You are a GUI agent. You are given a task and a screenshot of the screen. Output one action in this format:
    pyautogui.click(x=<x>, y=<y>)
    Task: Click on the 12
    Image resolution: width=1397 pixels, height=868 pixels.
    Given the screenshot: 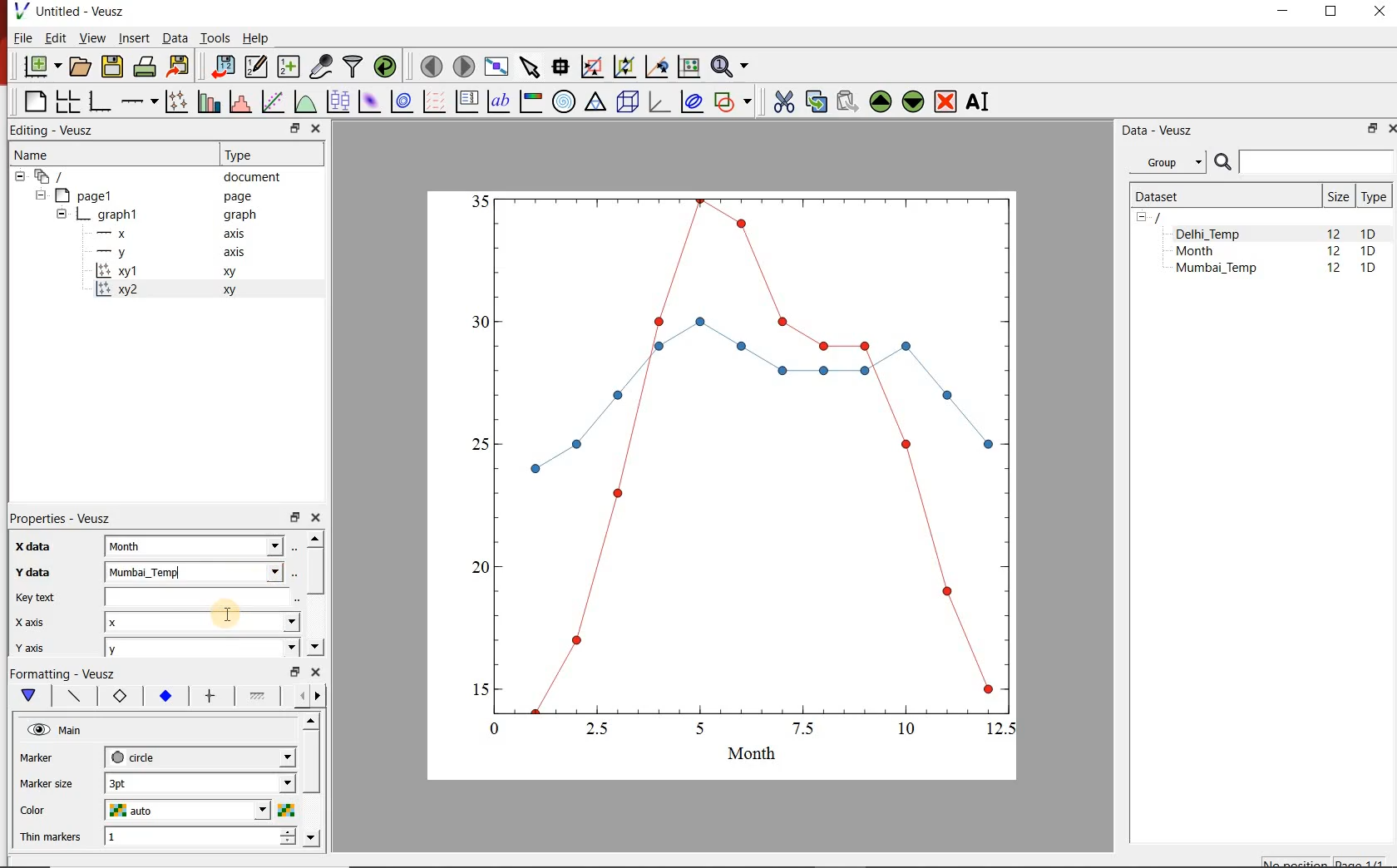 What is the action you would take?
    pyautogui.click(x=1335, y=270)
    